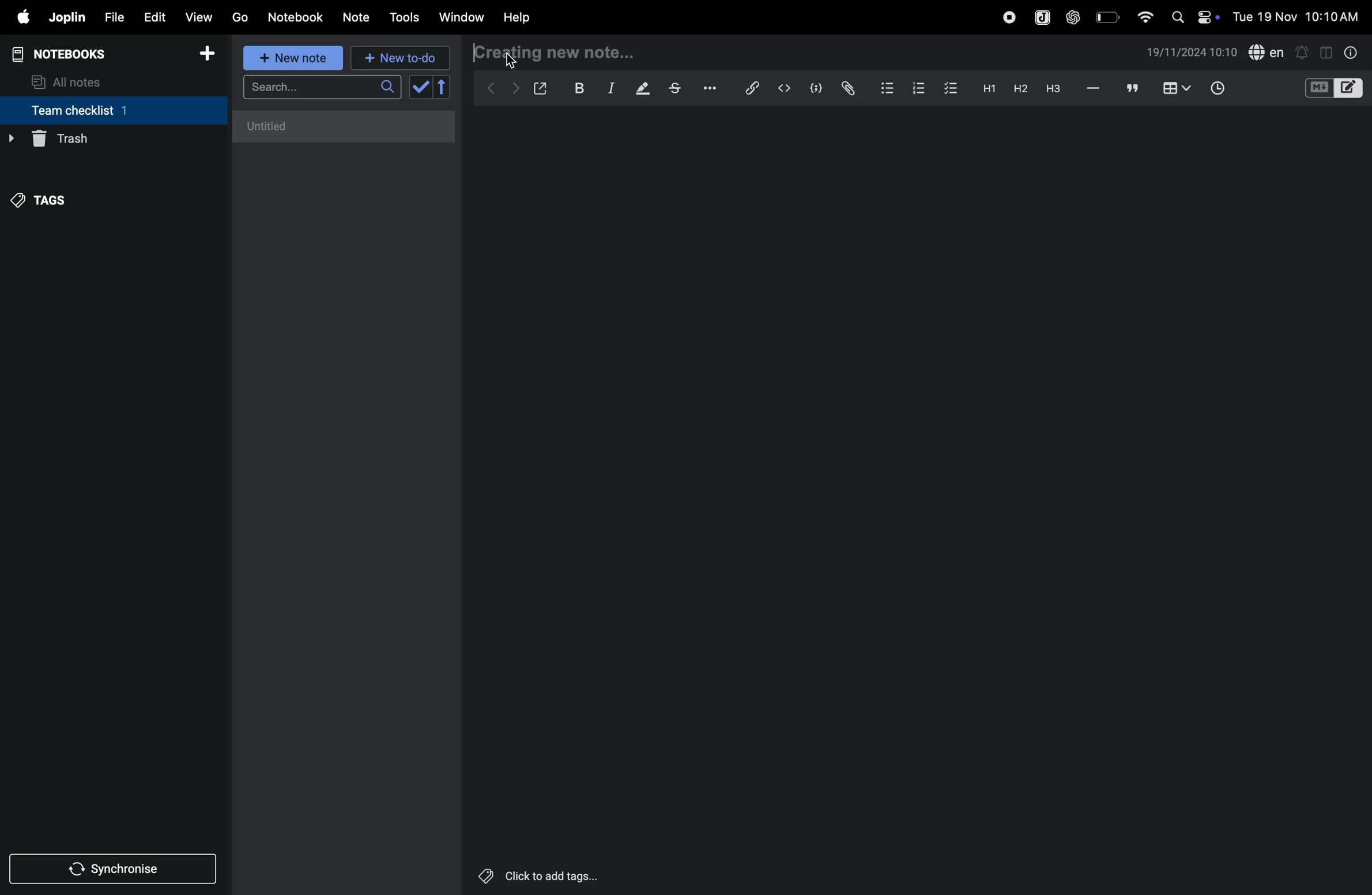  I want to click on window, so click(461, 18).